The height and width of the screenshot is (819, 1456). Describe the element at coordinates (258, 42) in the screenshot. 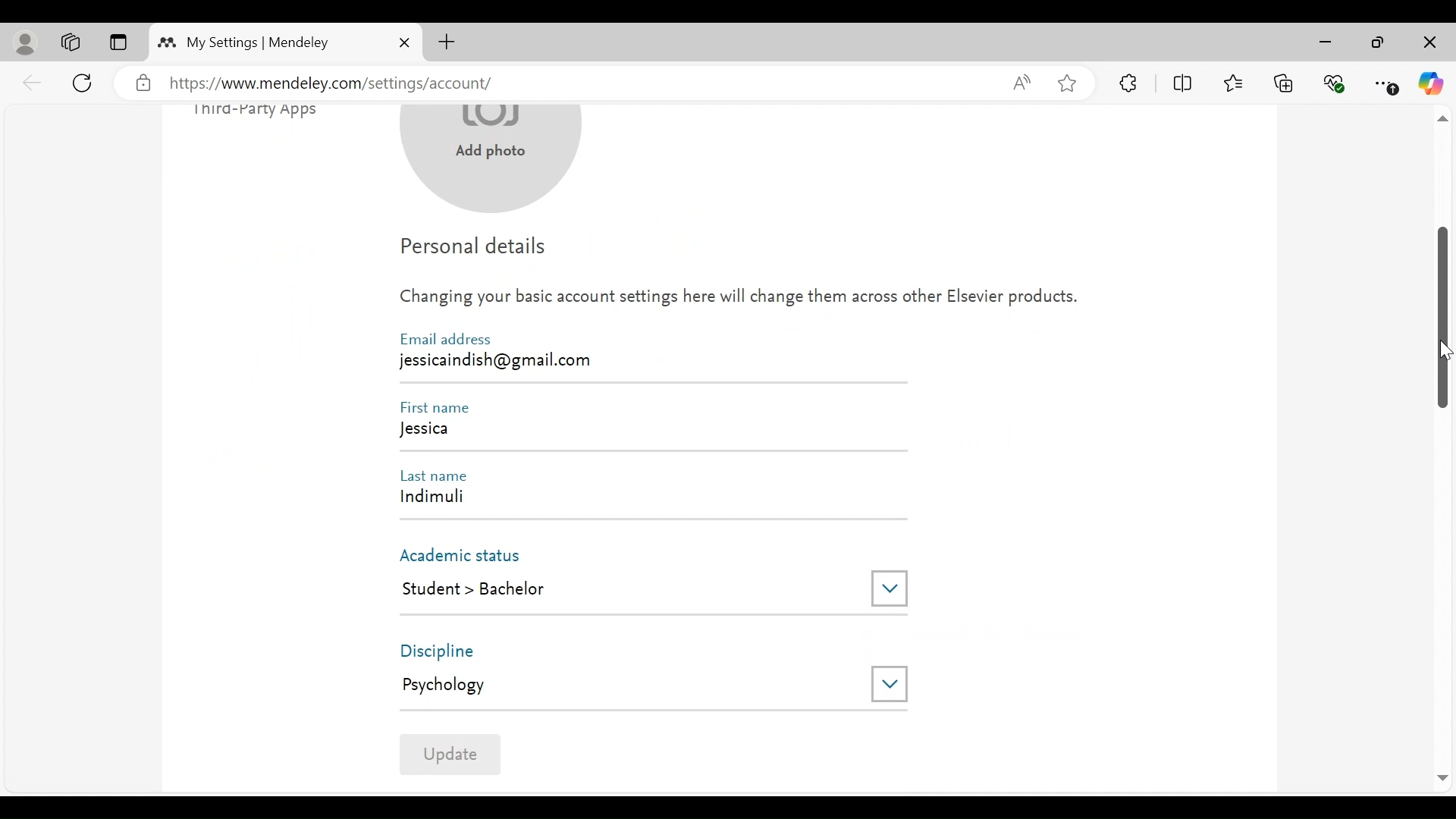

I see `My Settings | Mendeley` at that location.